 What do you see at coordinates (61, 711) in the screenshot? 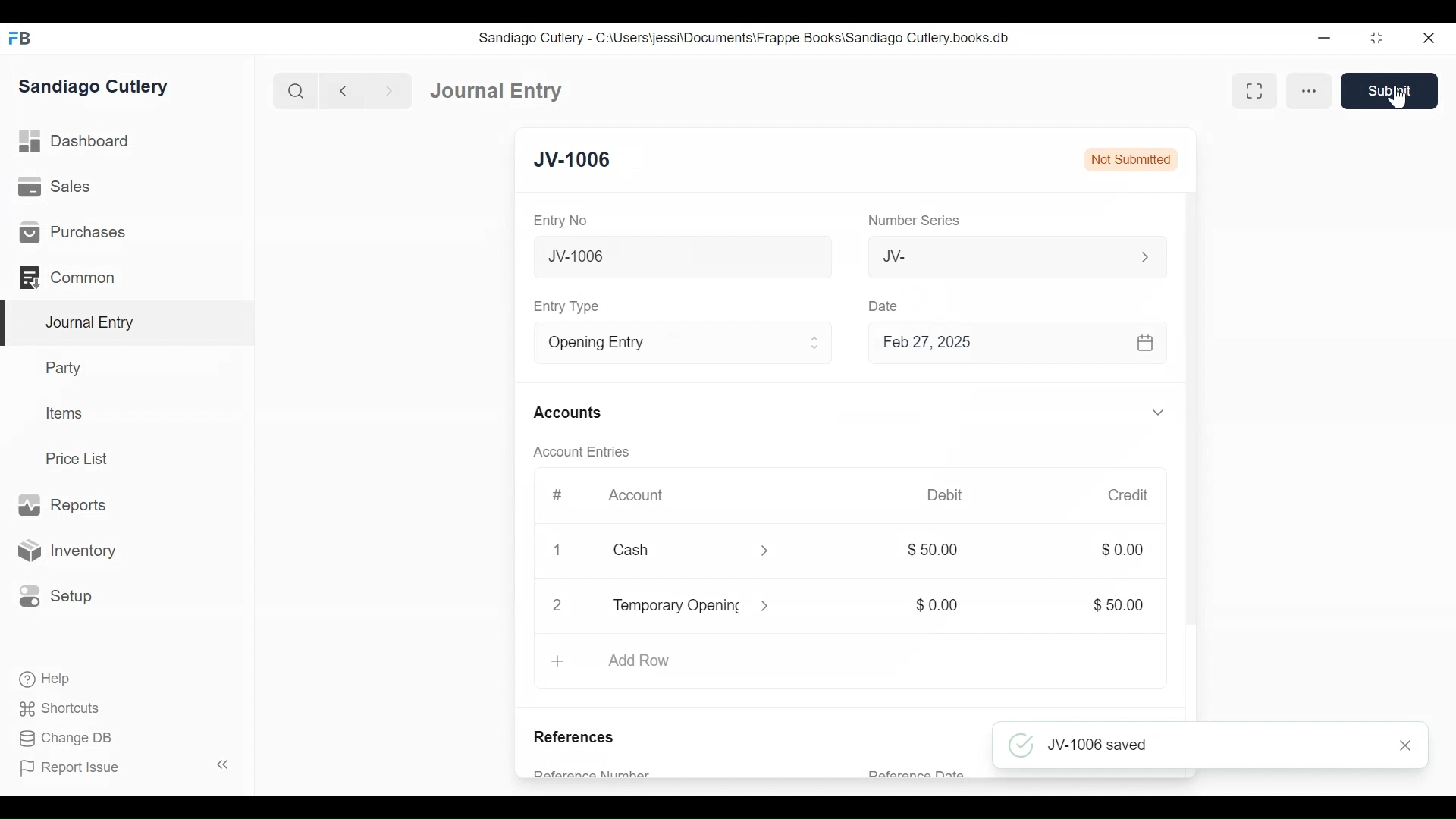
I see `Shortcuts` at bounding box center [61, 711].